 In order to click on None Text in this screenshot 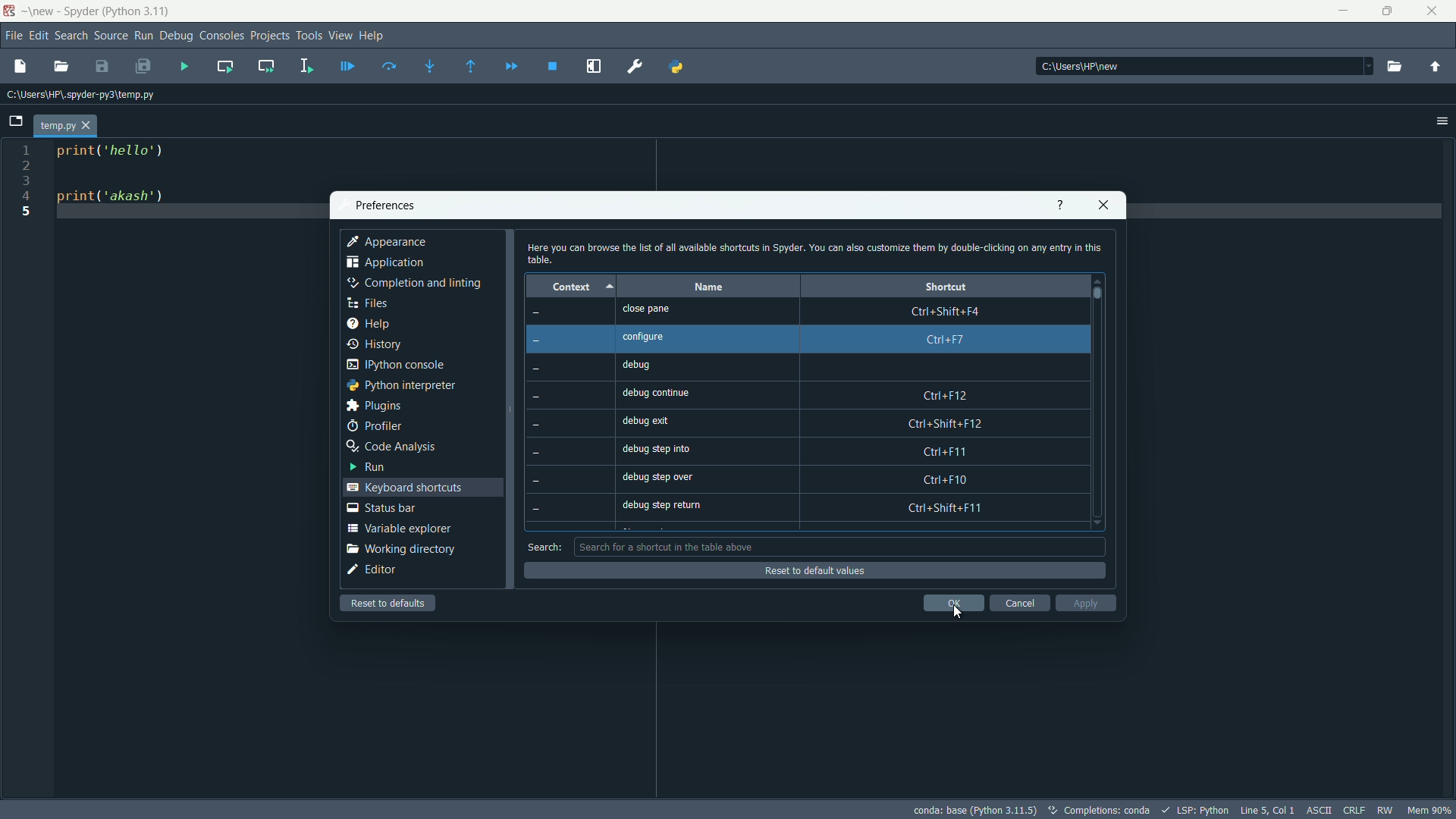, I will do `click(543, 417)`.